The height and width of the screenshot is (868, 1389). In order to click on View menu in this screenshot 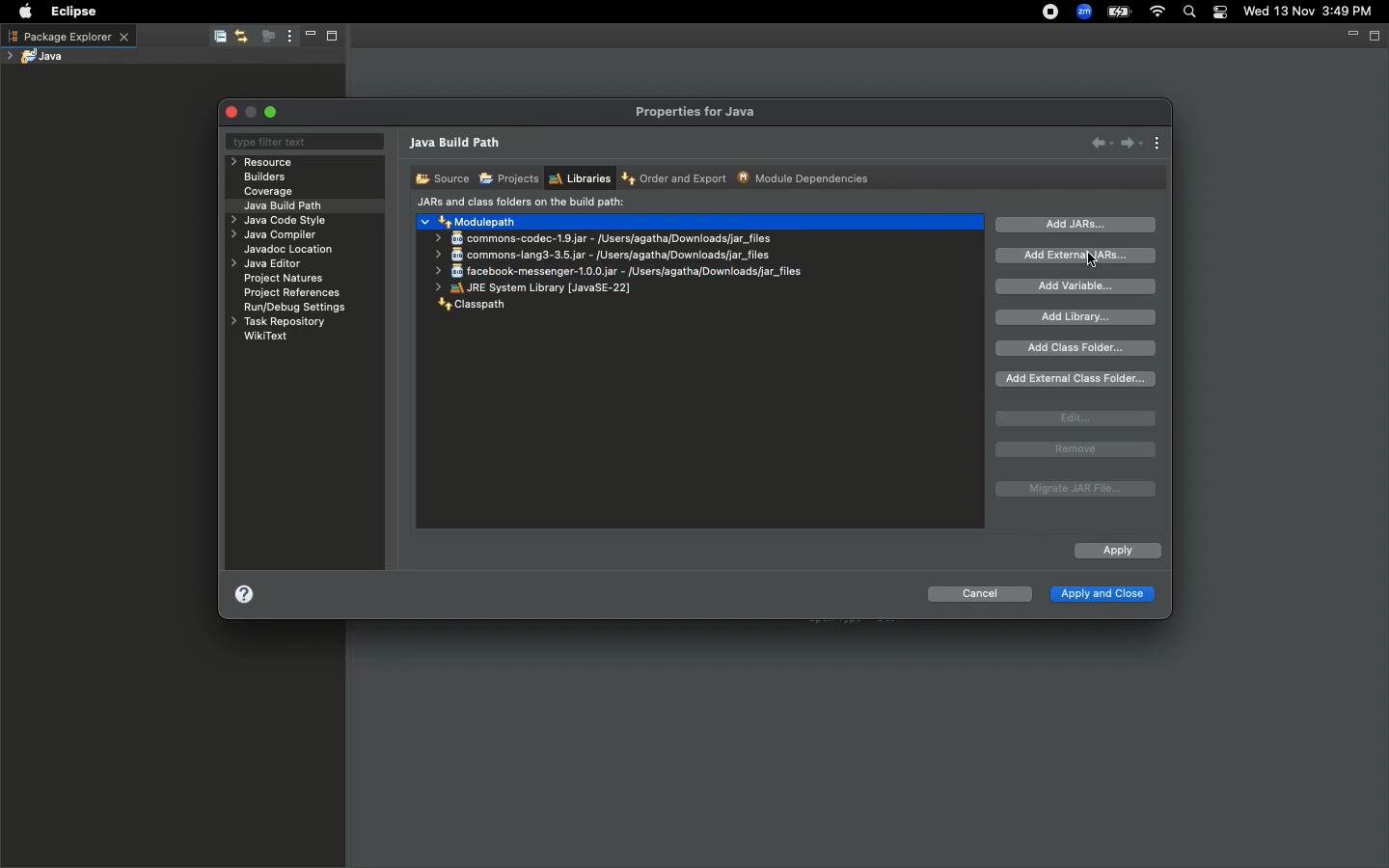, I will do `click(287, 37)`.